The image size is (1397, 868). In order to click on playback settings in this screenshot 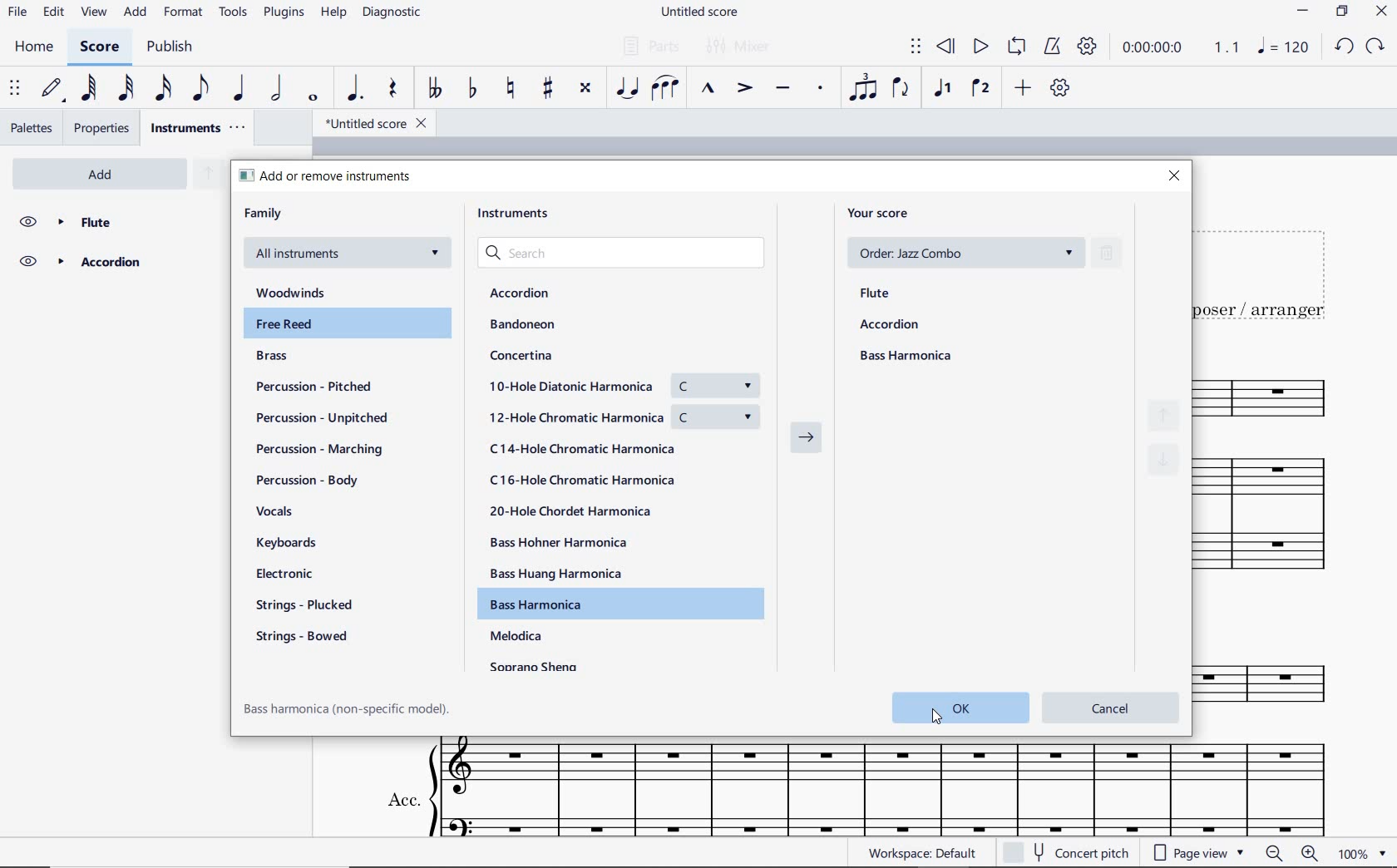, I will do `click(1086, 47)`.